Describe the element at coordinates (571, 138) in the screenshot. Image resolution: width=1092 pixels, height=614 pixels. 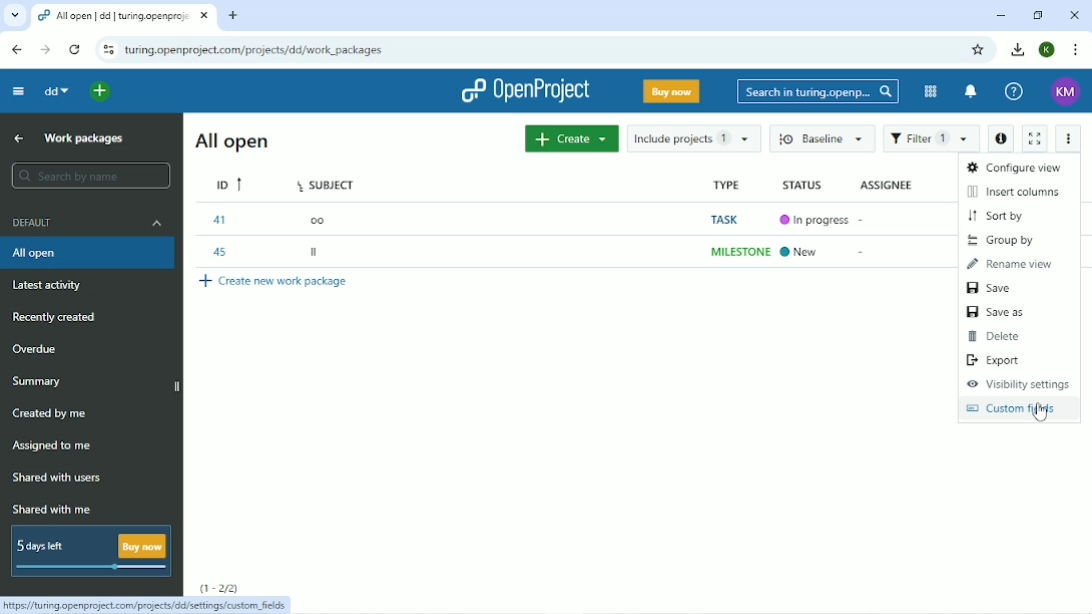
I see `Create` at that location.